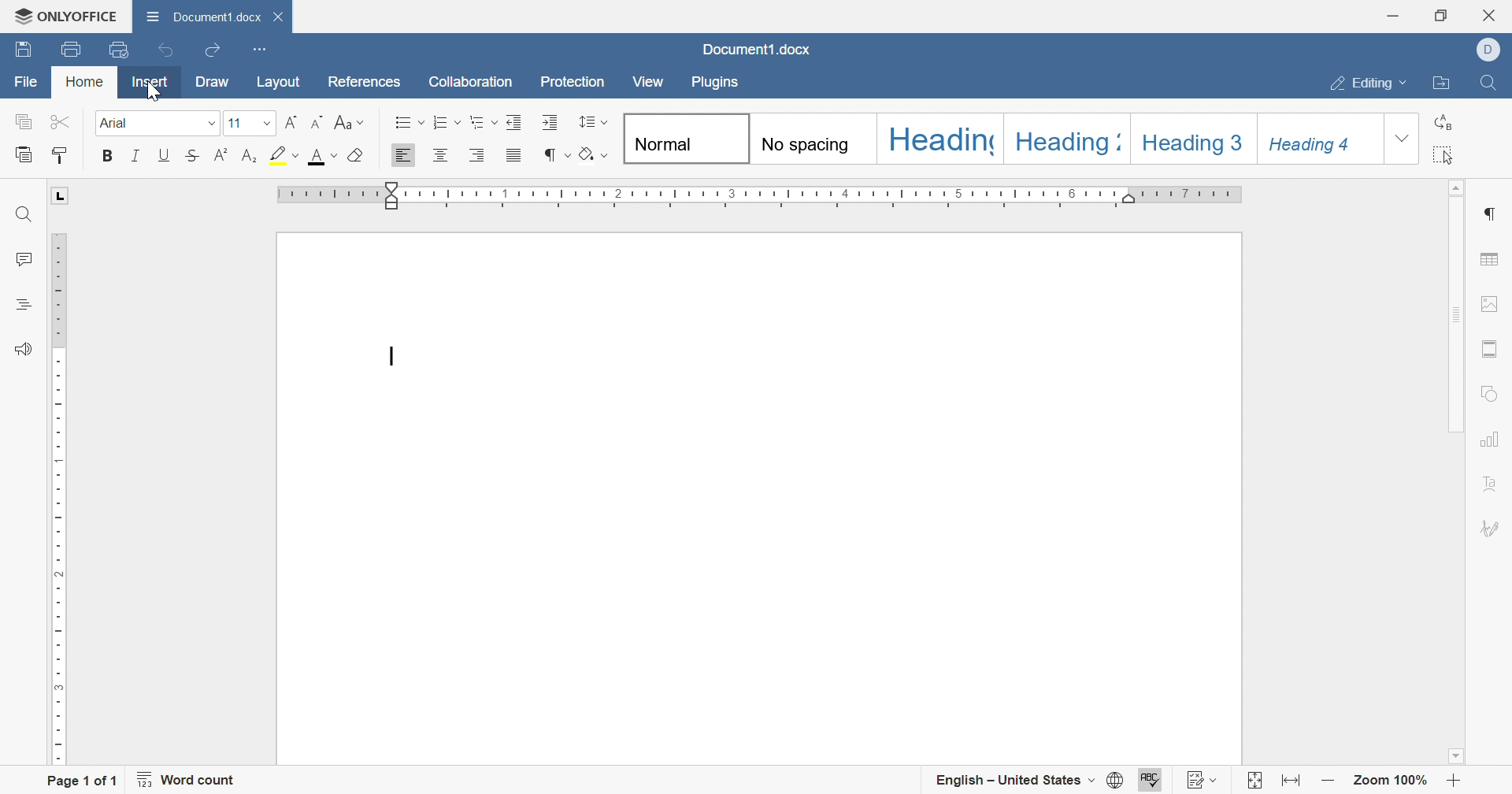  What do you see at coordinates (187, 780) in the screenshot?
I see `Word count` at bounding box center [187, 780].